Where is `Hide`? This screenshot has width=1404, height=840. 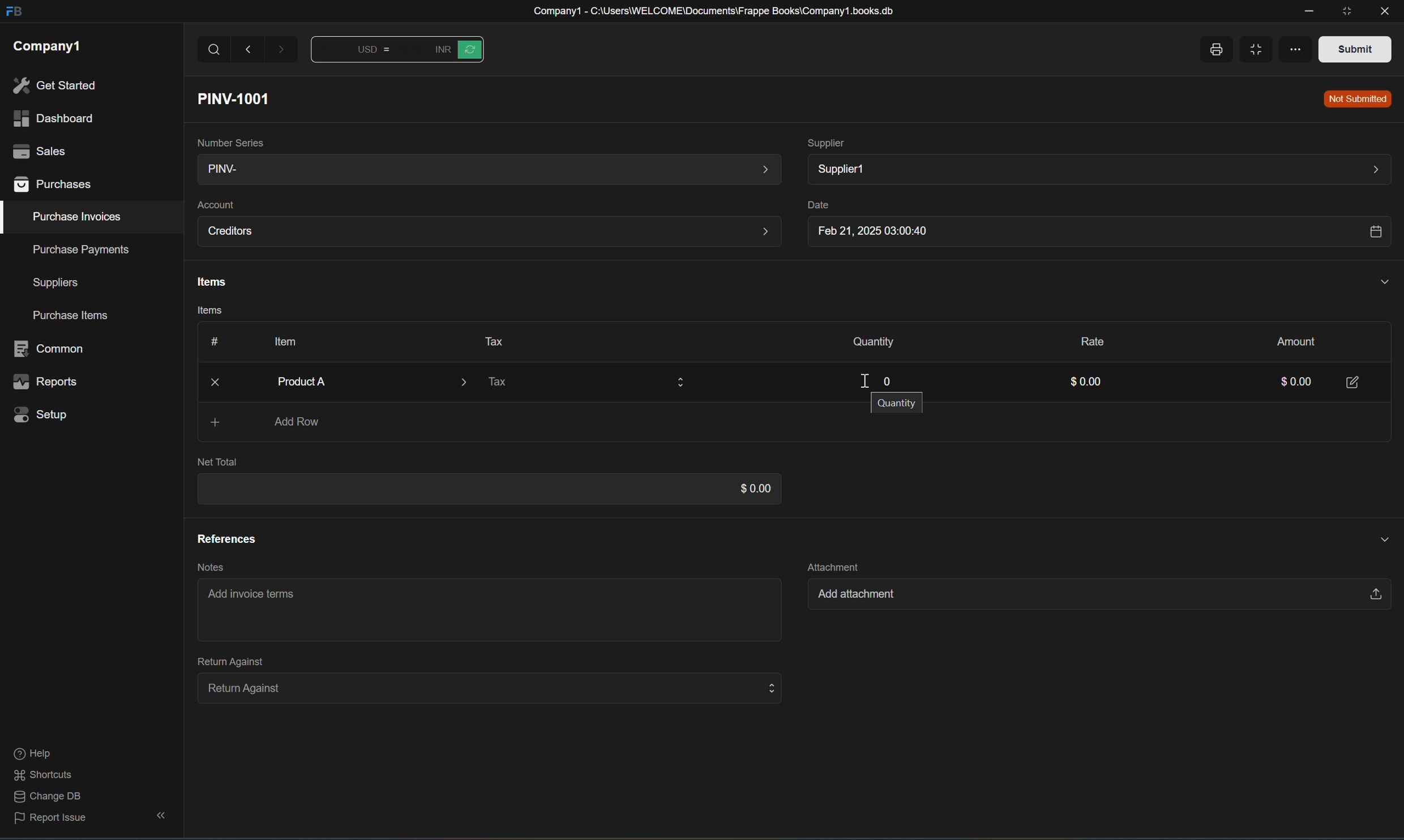
Hide is located at coordinates (1377, 537).